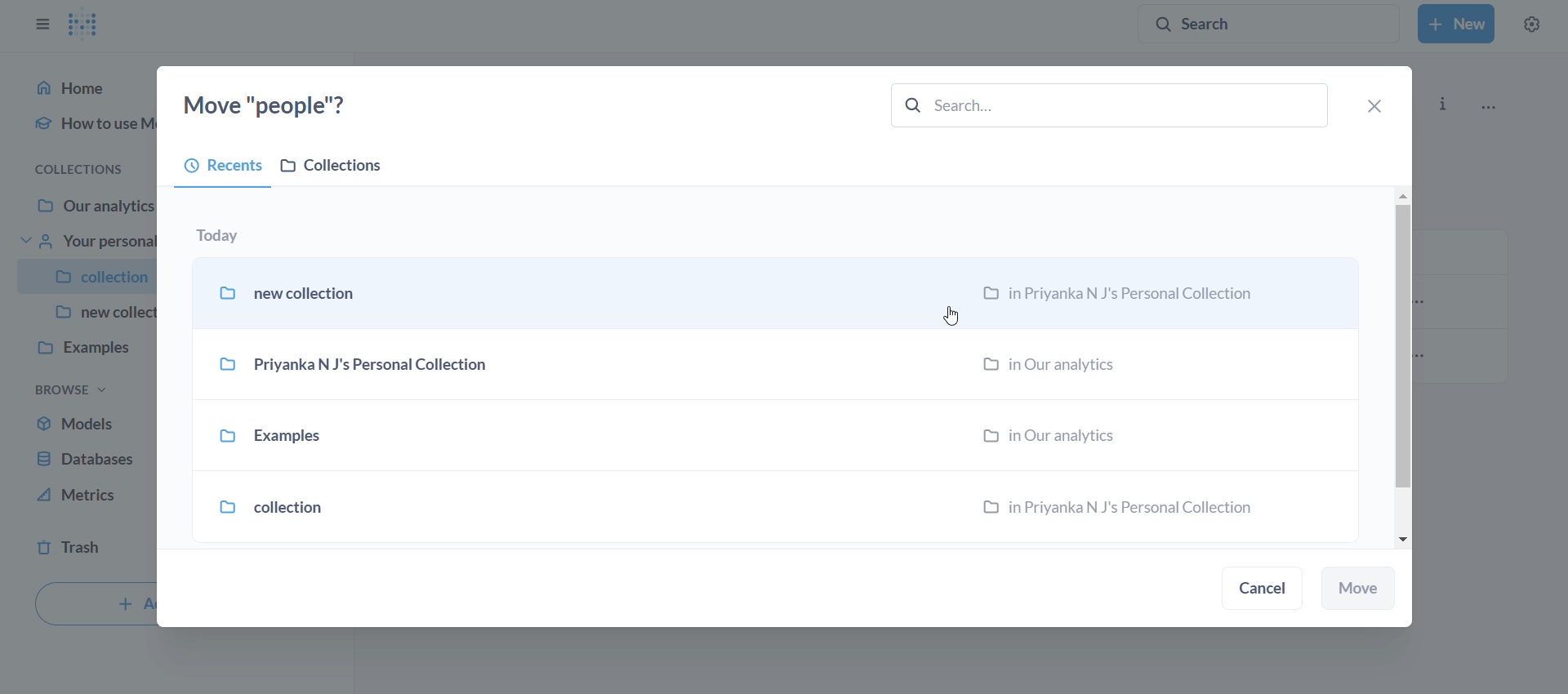 Image resolution: width=1568 pixels, height=694 pixels. What do you see at coordinates (84, 169) in the screenshot?
I see `collections` at bounding box center [84, 169].